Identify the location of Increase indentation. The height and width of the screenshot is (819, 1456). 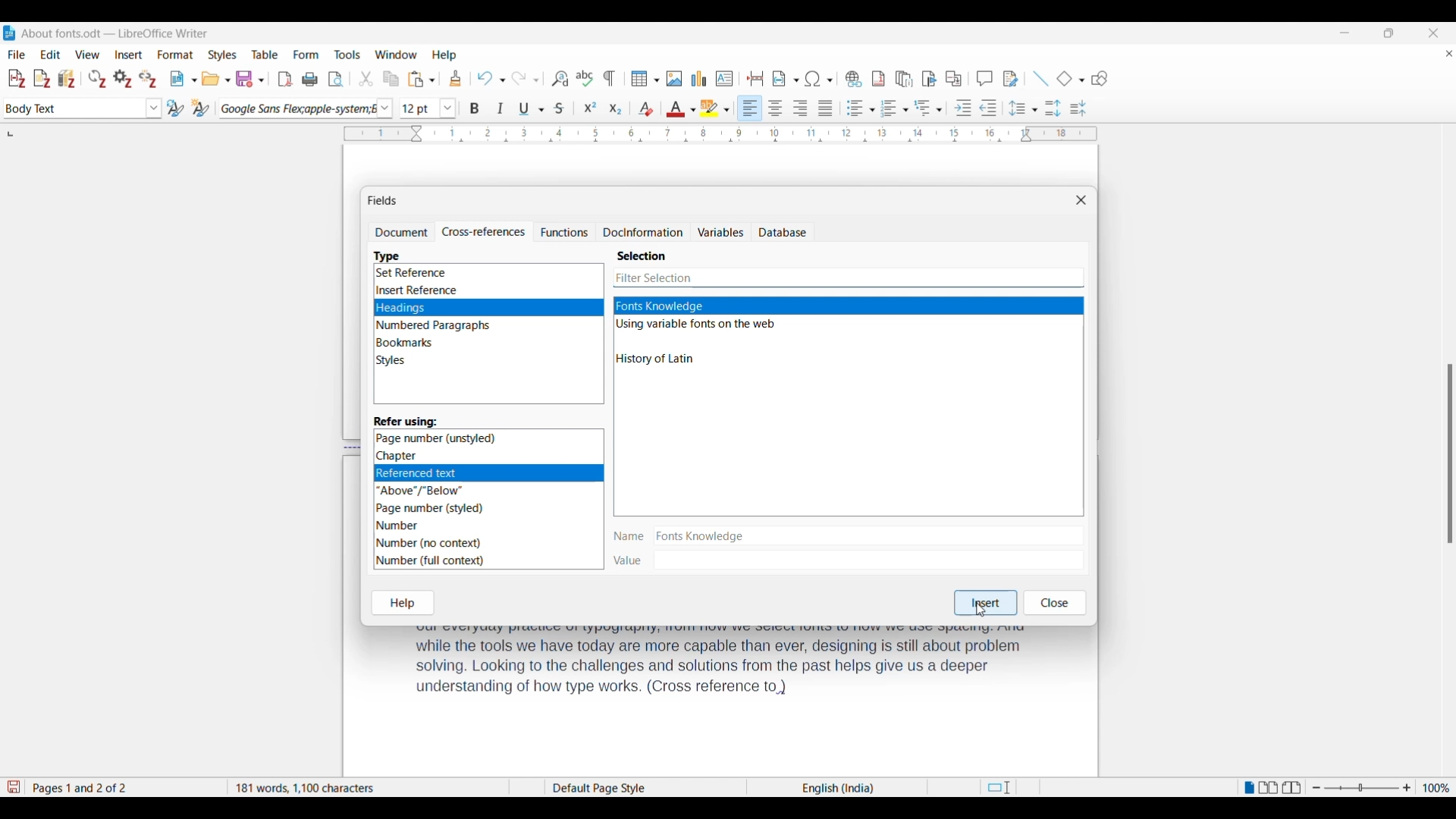
(963, 108).